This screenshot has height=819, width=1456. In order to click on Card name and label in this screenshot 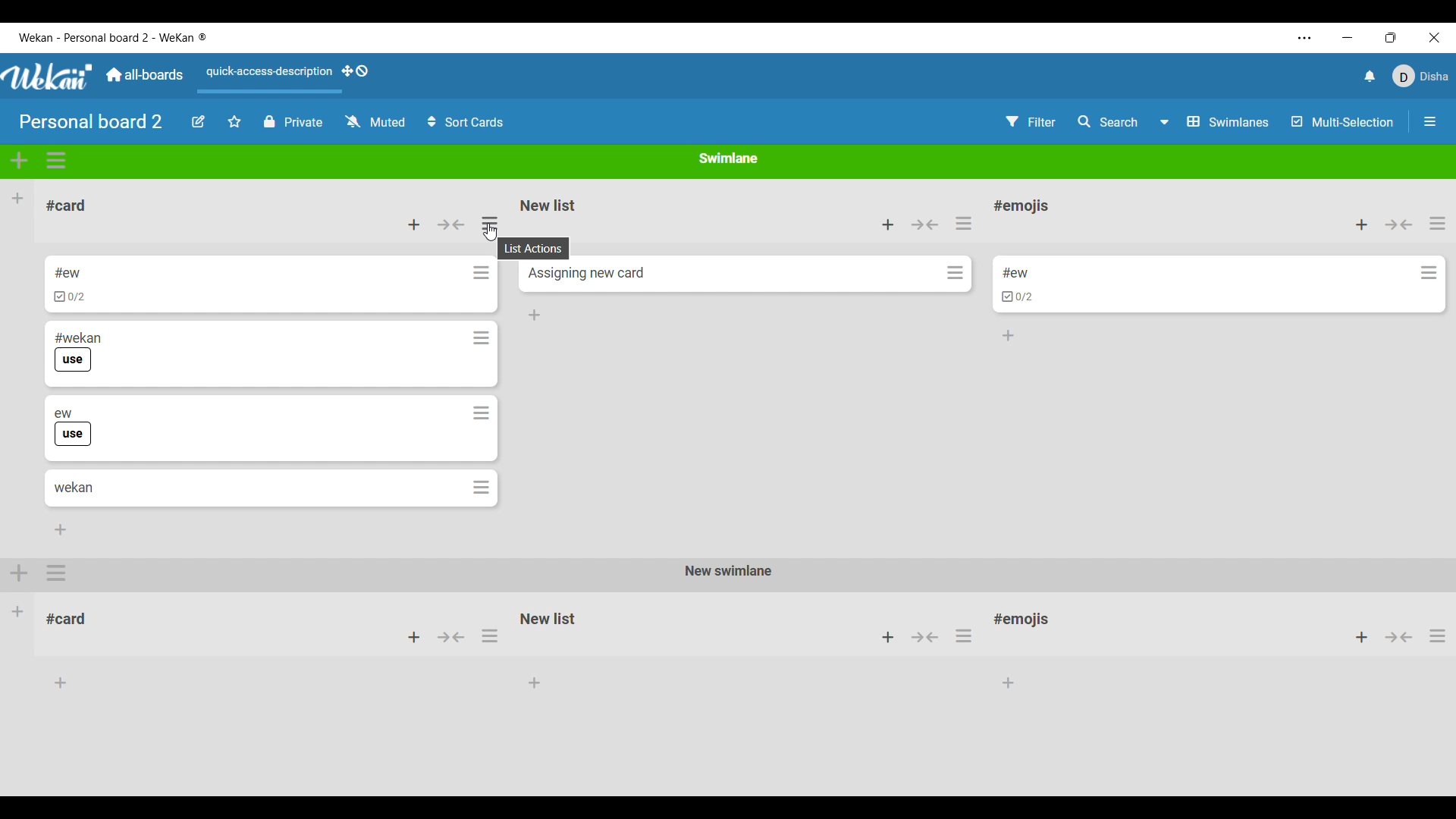, I will do `click(72, 427)`.